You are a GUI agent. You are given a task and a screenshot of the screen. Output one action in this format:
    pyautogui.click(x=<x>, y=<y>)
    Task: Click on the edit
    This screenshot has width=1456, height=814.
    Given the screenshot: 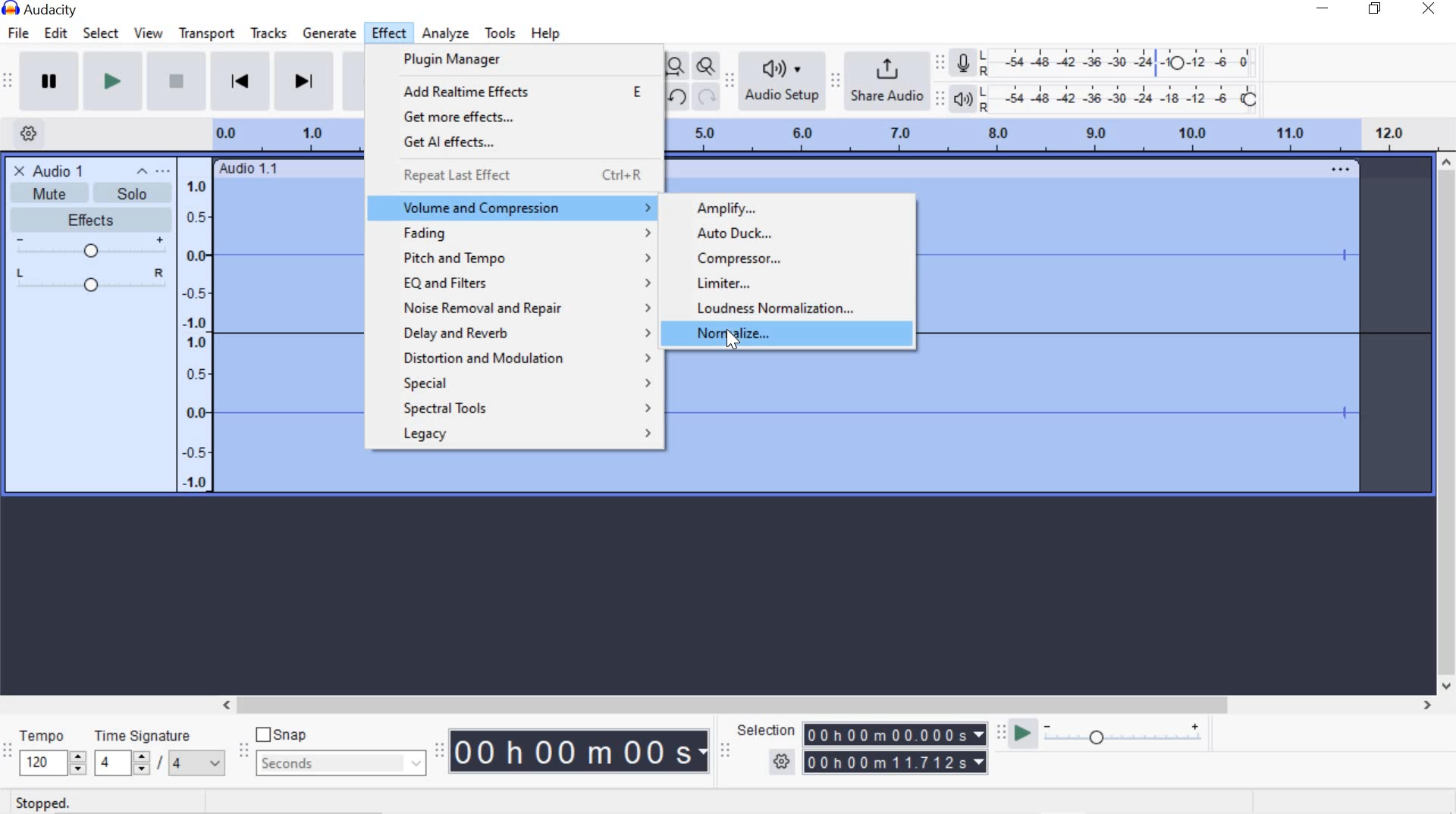 What is the action you would take?
    pyautogui.click(x=55, y=33)
    